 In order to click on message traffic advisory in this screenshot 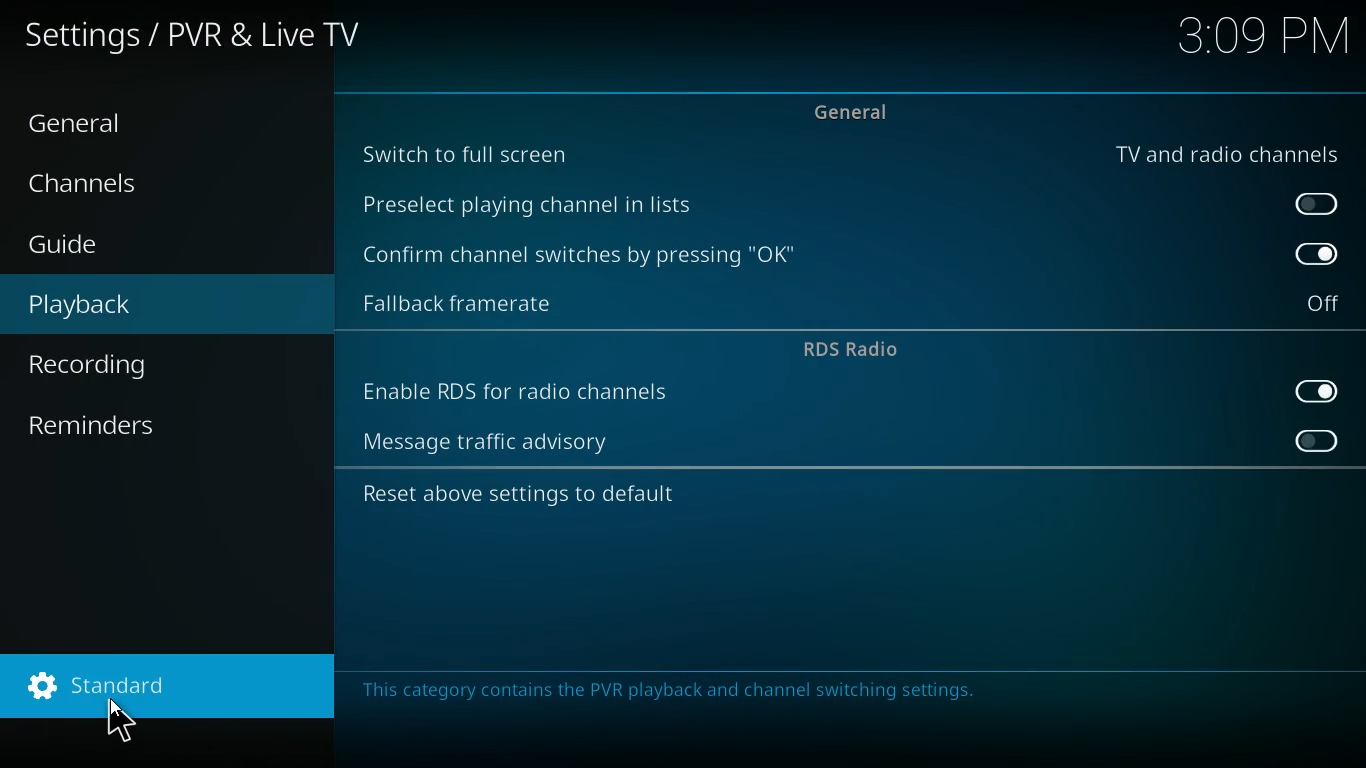, I will do `click(499, 442)`.